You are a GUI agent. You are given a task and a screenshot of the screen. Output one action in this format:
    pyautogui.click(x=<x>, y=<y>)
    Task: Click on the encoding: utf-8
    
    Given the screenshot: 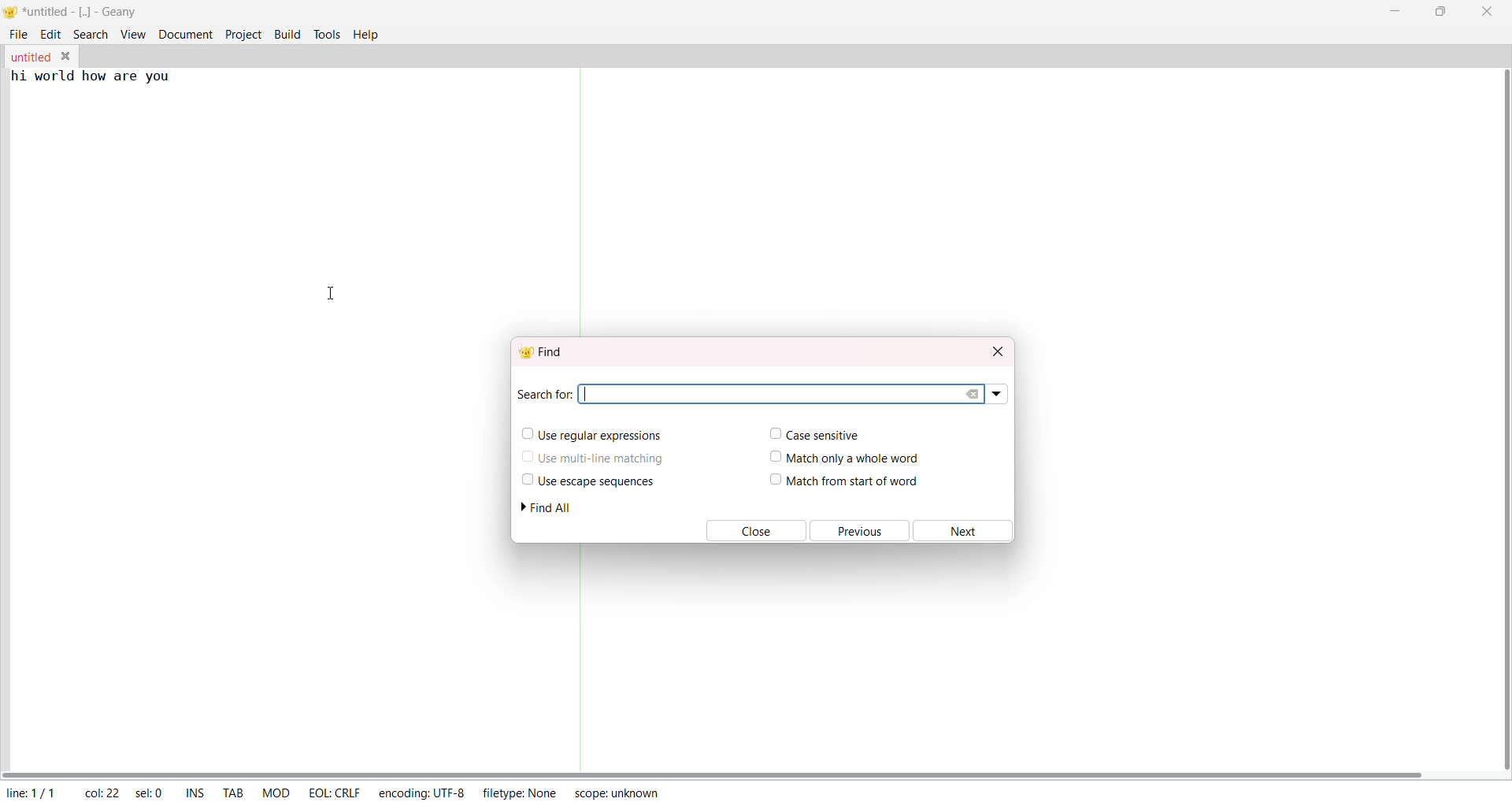 What is the action you would take?
    pyautogui.click(x=420, y=791)
    